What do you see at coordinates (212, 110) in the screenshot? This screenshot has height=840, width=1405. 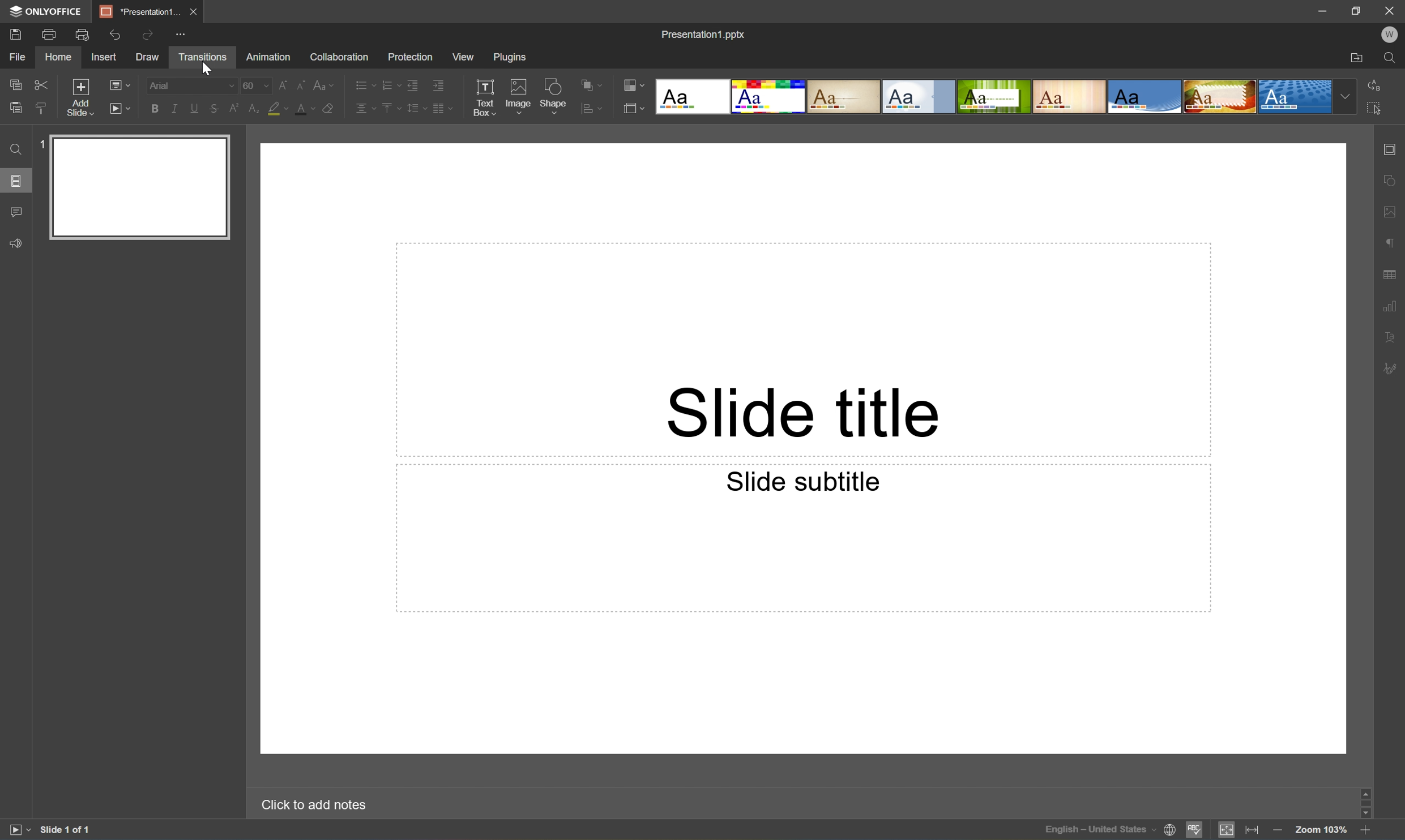 I see `Strikethrough` at bounding box center [212, 110].